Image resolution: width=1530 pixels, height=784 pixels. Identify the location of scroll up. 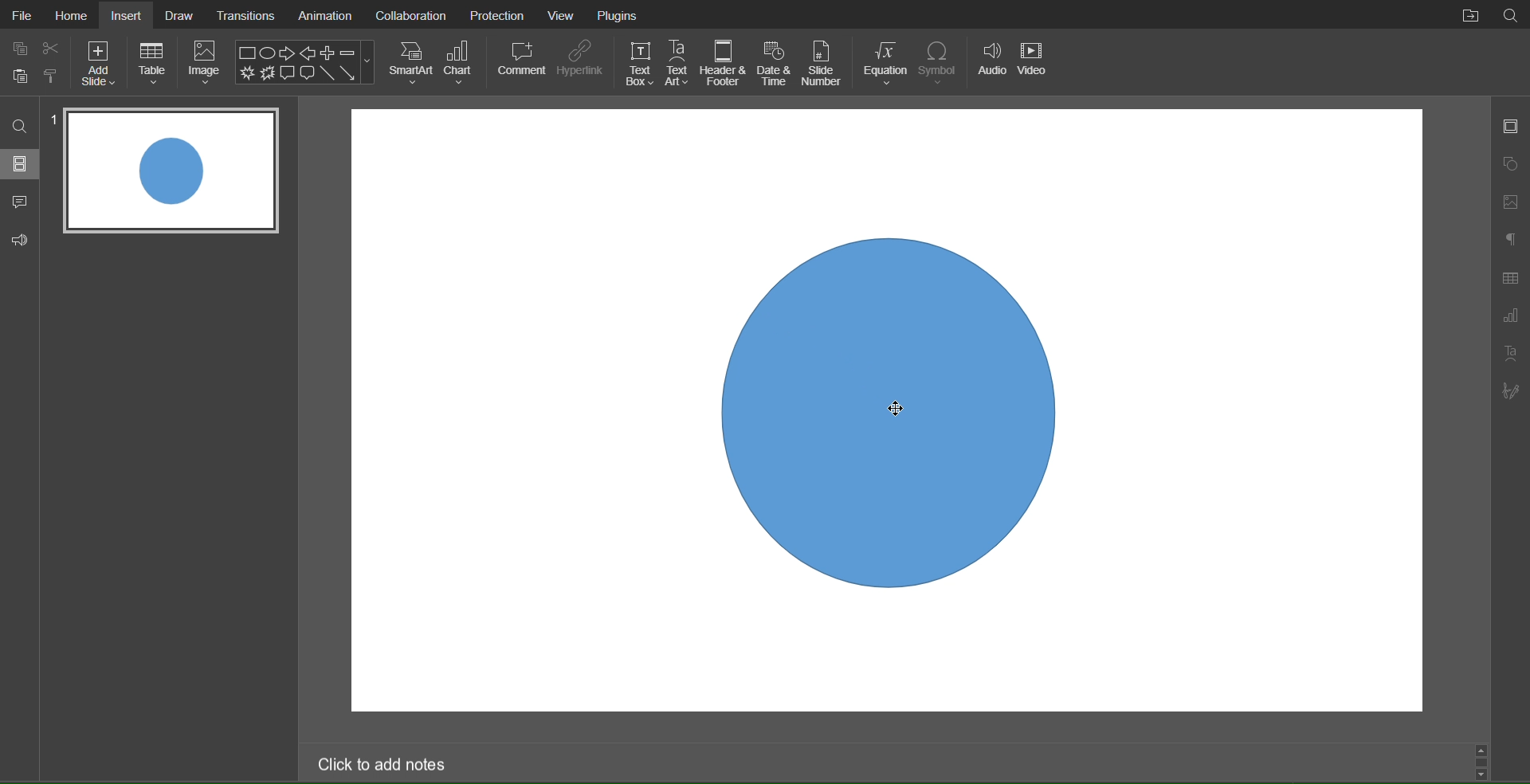
(1483, 747).